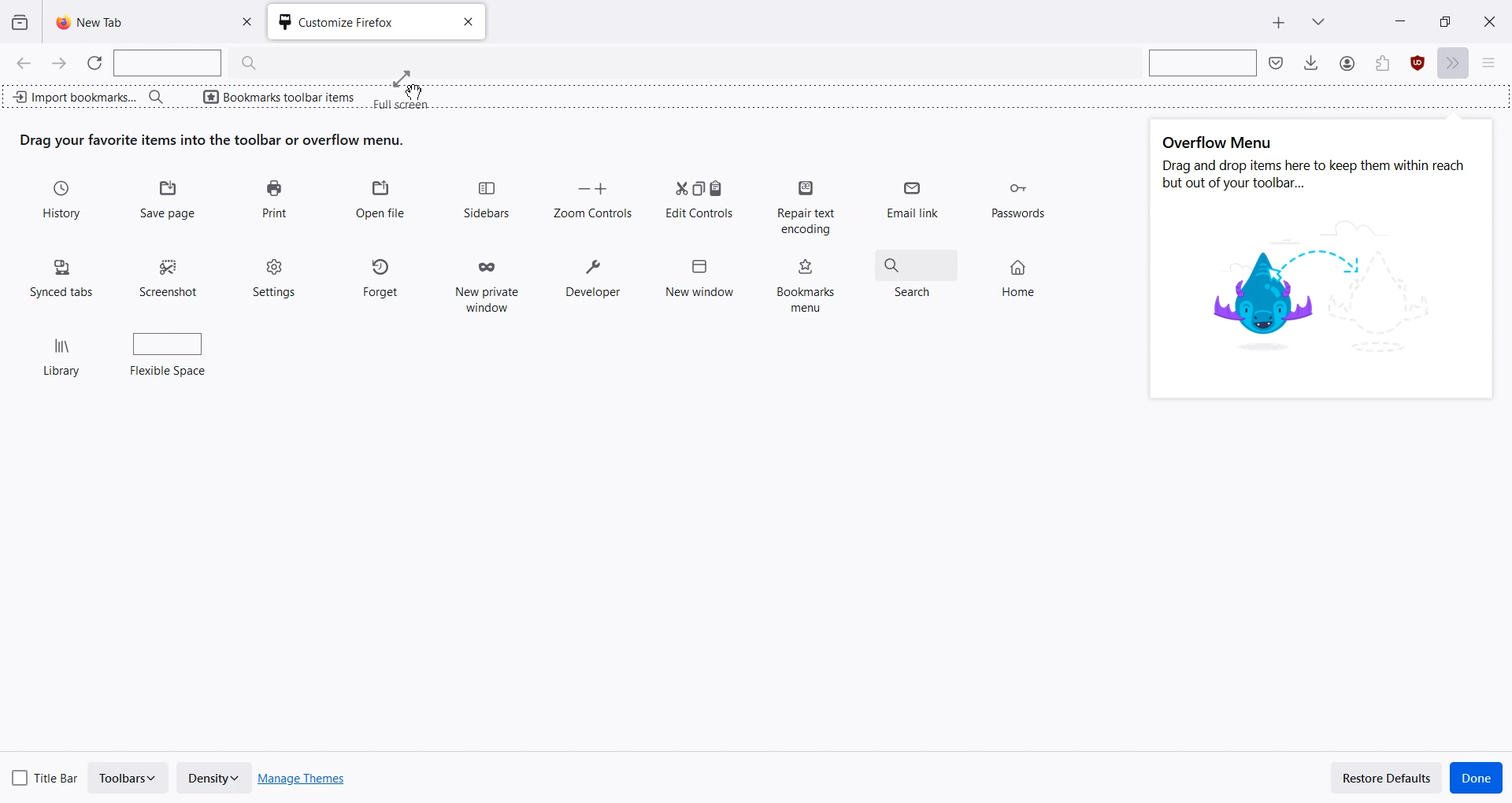 This screenshot has width=1512, height=803. Describe the element at coordinates (1418, 64) in the screenshot. I see `Extensions` at that location.